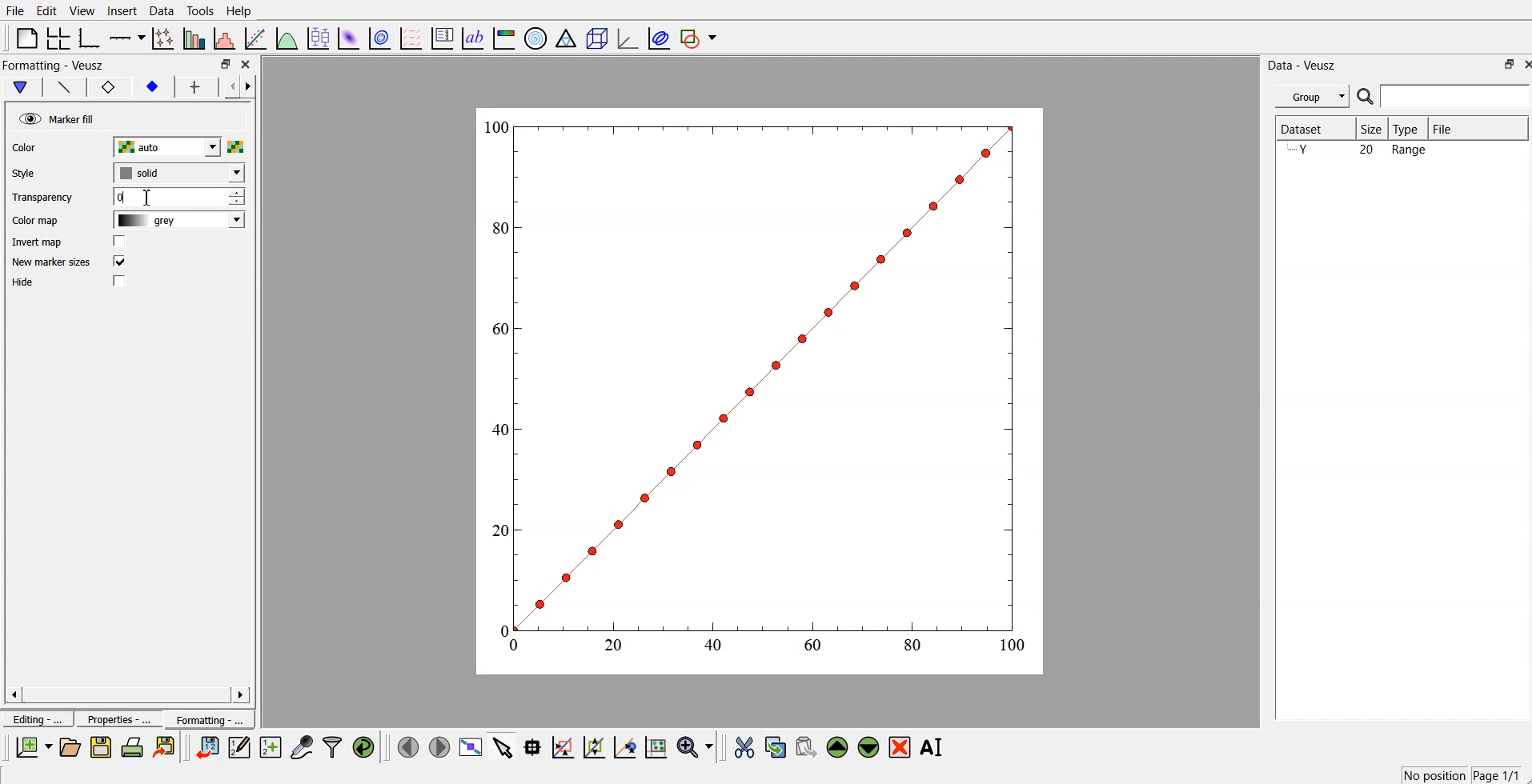 The image size is (1532, 784). What do you see at coordinates (120, 11) in the screenshot?
I see `Insert` at bounding box center [120, 11].